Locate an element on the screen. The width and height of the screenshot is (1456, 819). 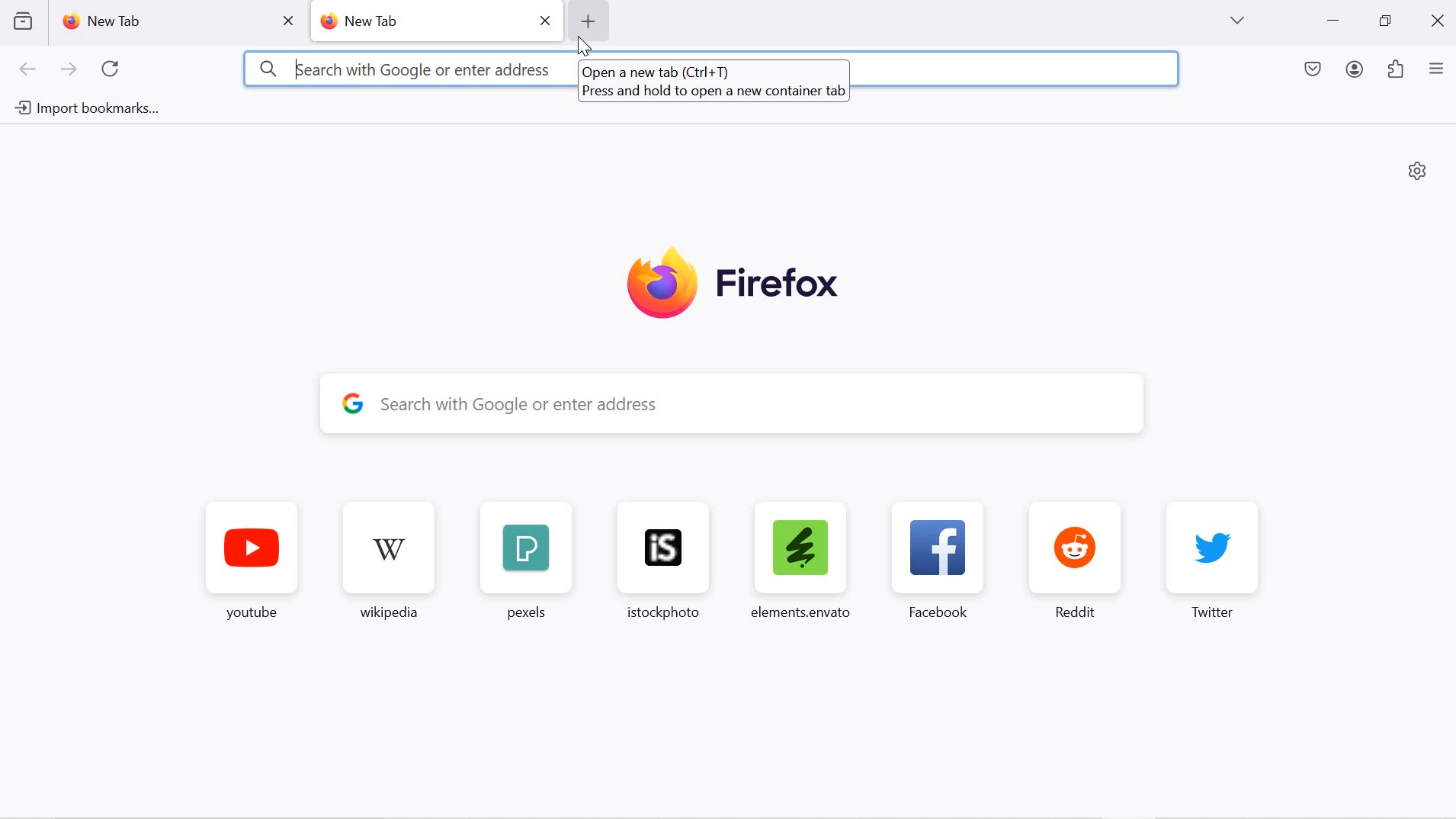
personalize new tab is located at coordinates (1418, 170).